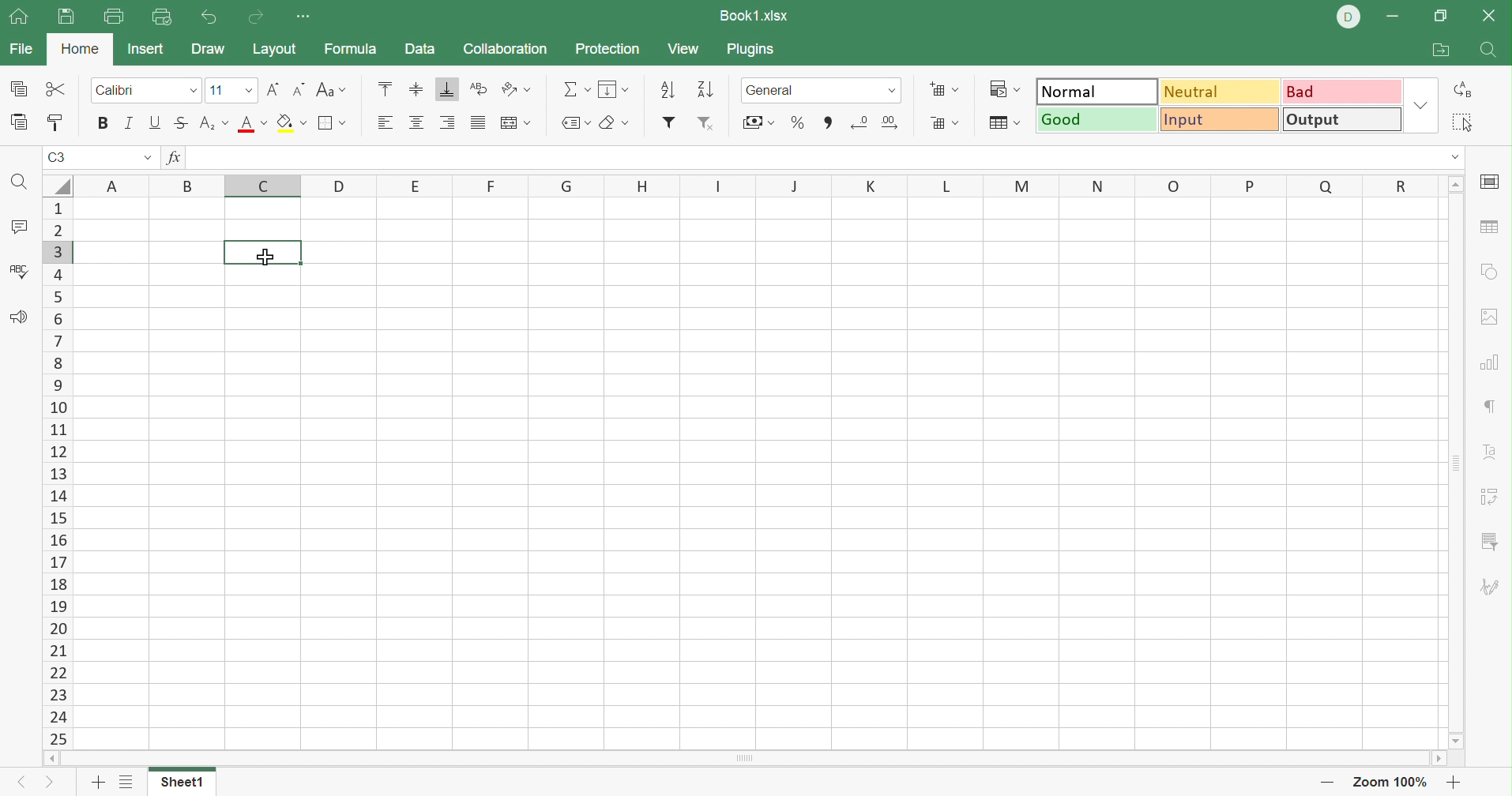 The image size is (1512, 796). I want to click on Replace, so click(1465, 87).